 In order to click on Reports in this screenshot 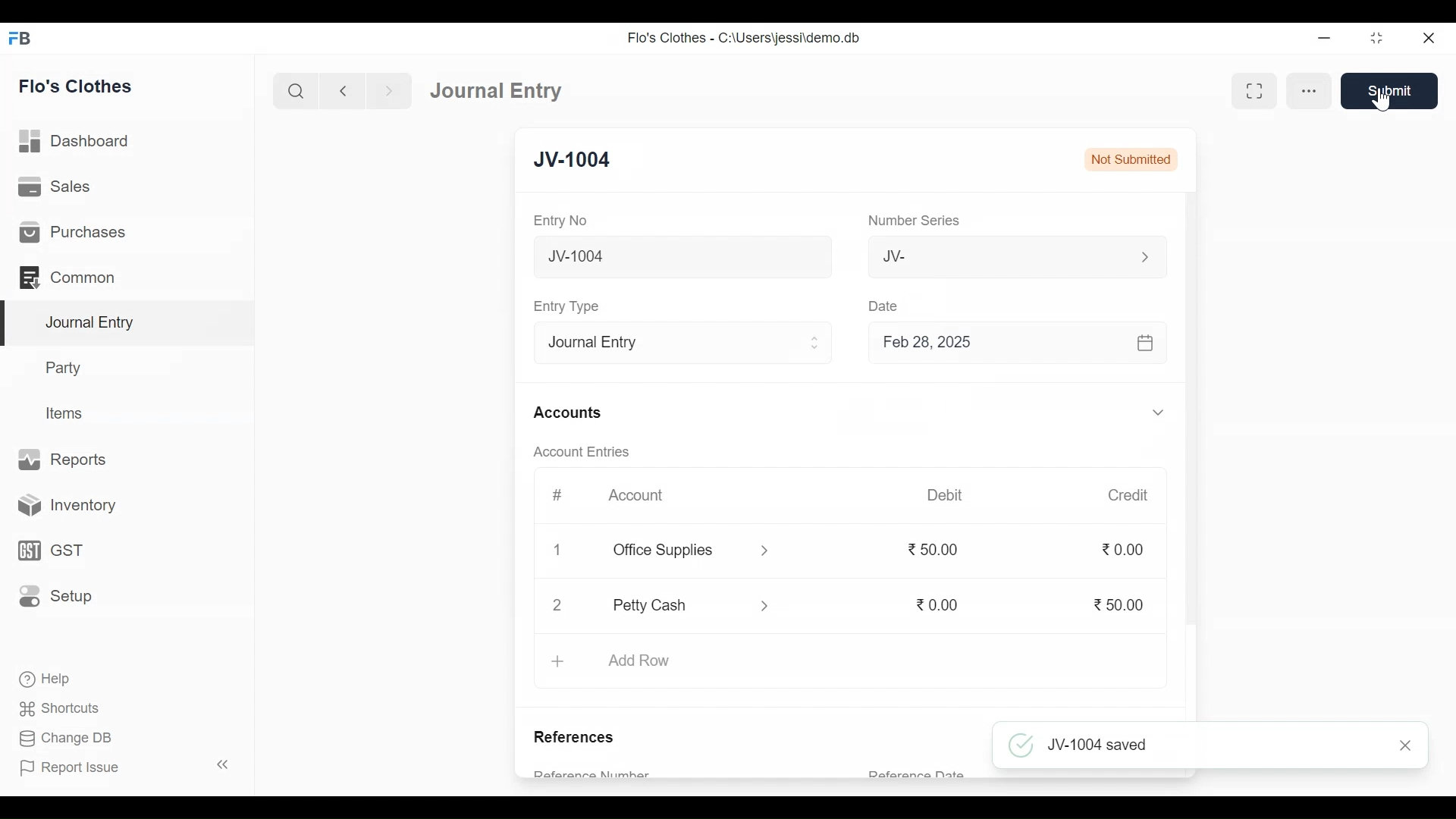, I will do `click(64, 458)`.